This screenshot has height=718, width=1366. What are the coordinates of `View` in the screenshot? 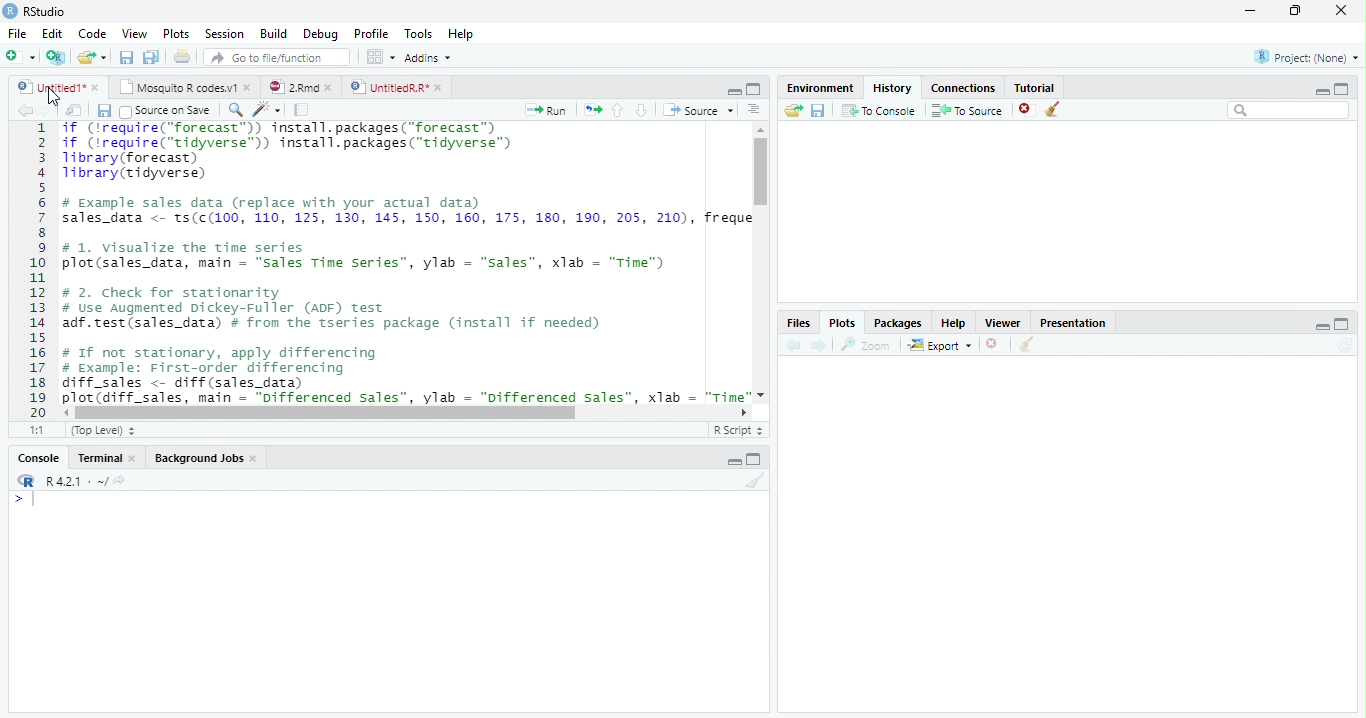 It's located at (133, 34).